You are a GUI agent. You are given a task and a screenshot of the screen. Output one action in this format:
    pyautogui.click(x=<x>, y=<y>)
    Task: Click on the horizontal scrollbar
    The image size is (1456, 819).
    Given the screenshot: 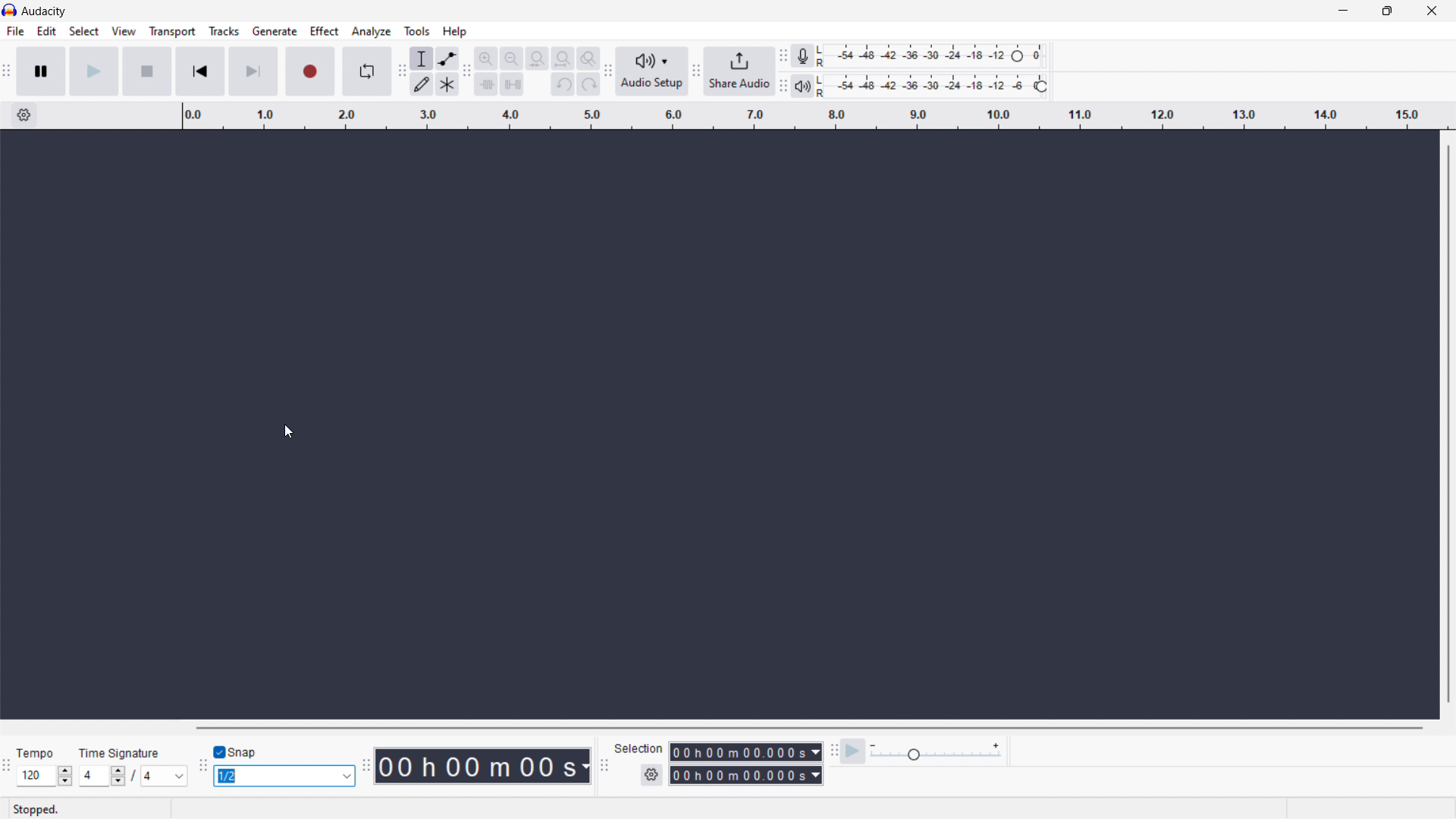 What is the action you would take?
    pyautogui.click(x=804, y=726)
    